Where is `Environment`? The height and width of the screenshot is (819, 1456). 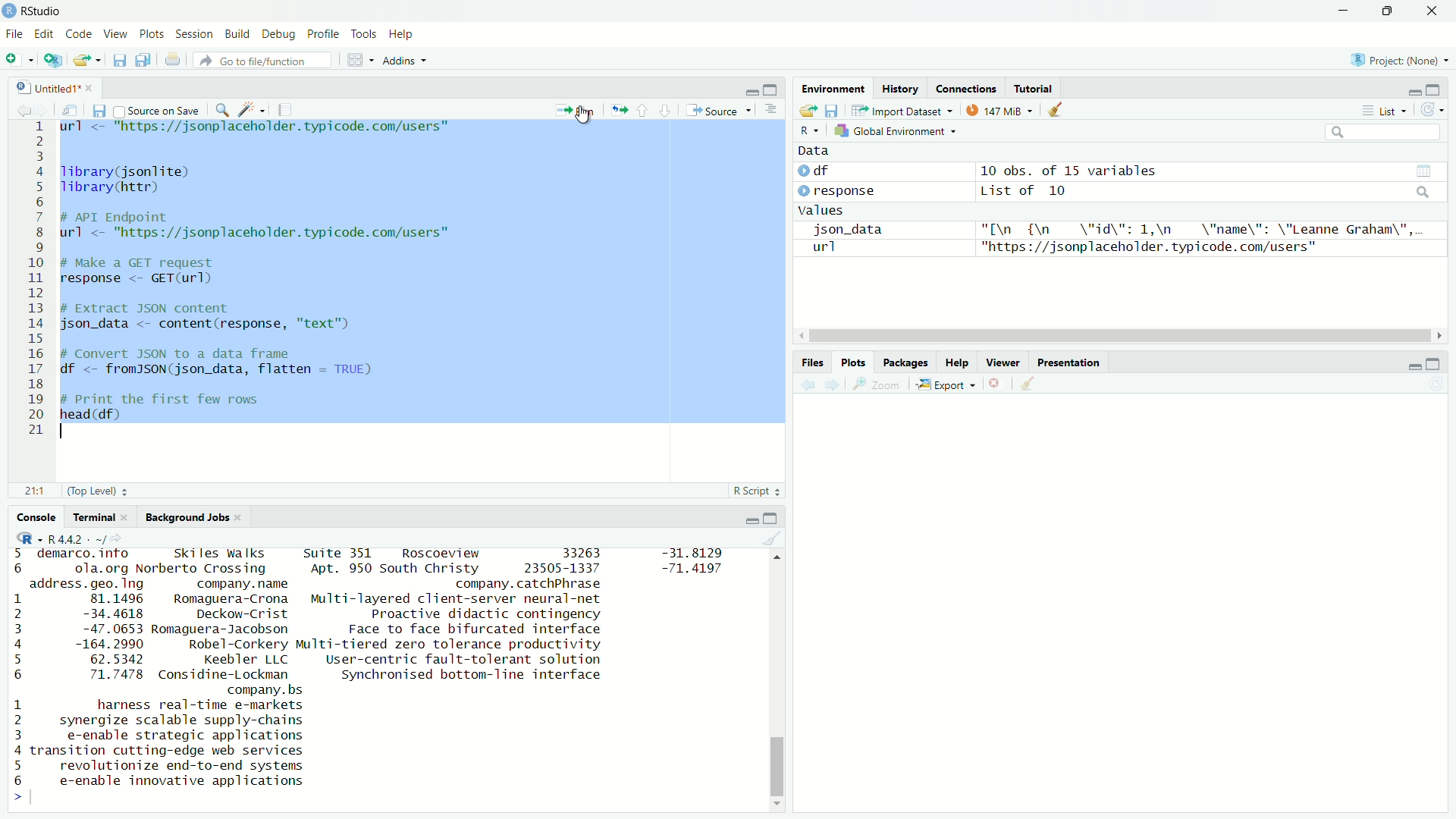
Environment is located at coordinates (833, 90).